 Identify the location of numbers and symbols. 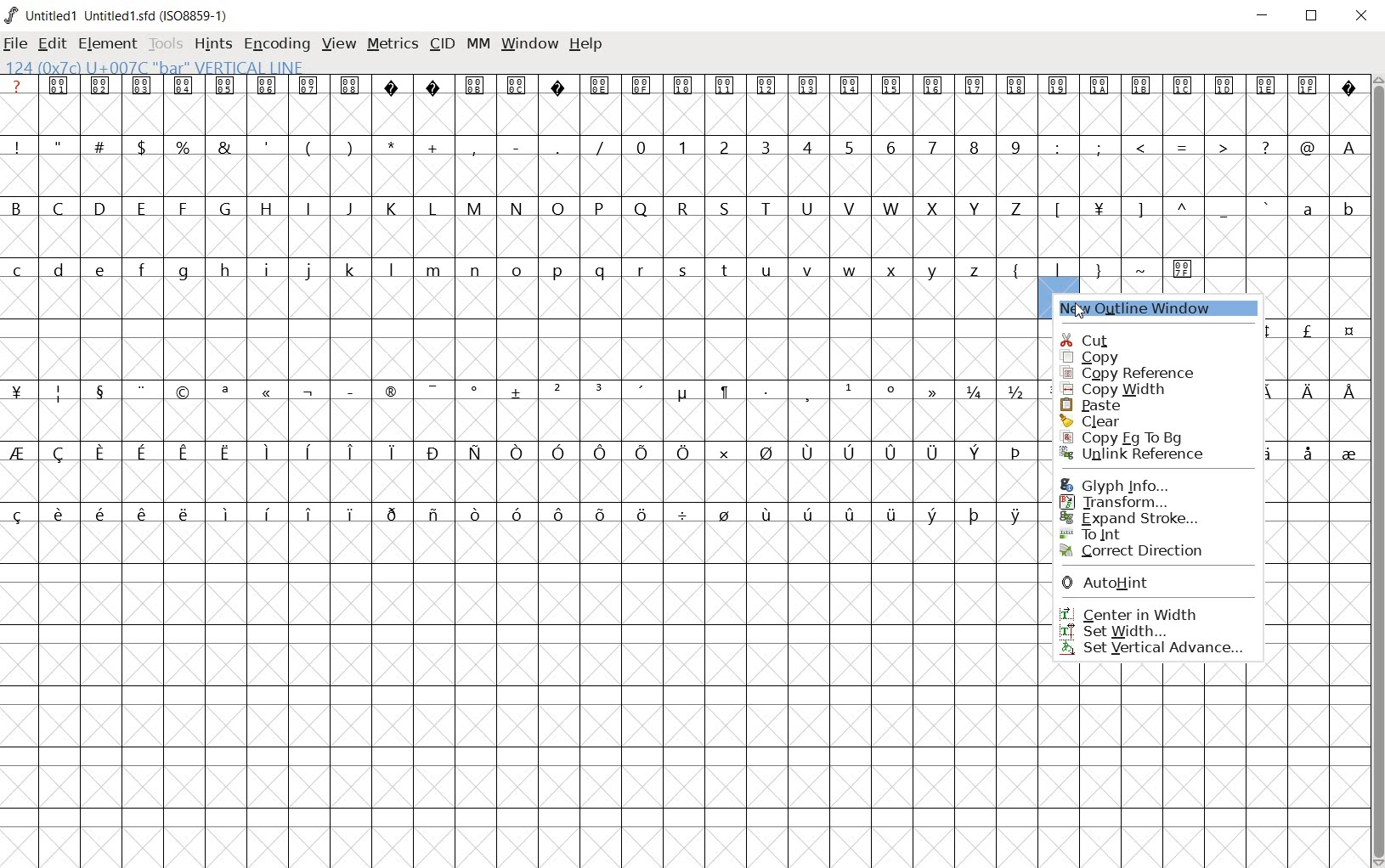
(685, 146).